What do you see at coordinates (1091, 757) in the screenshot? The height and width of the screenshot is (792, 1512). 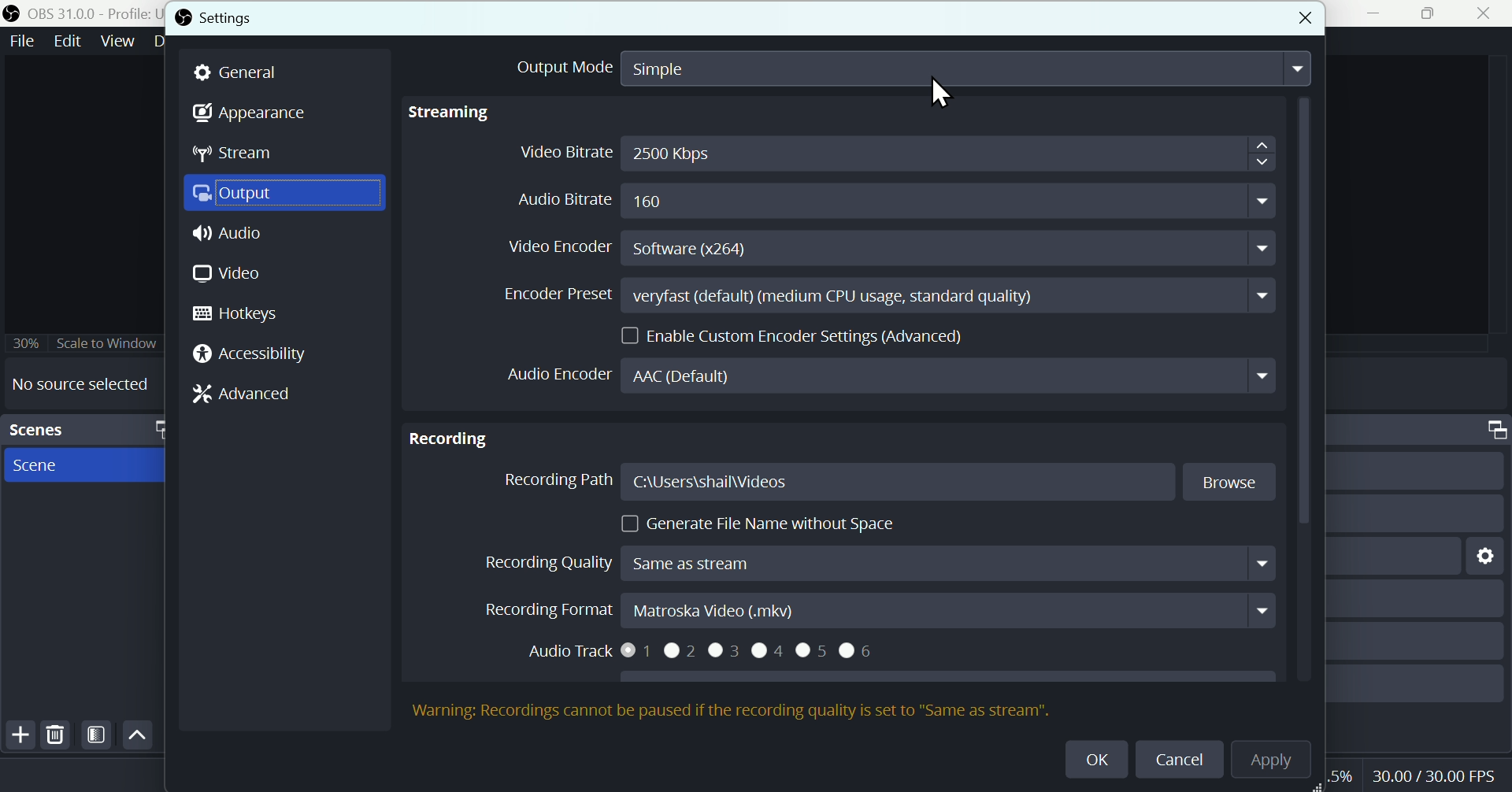 I see `OK` at bounding box center [1091, 757].